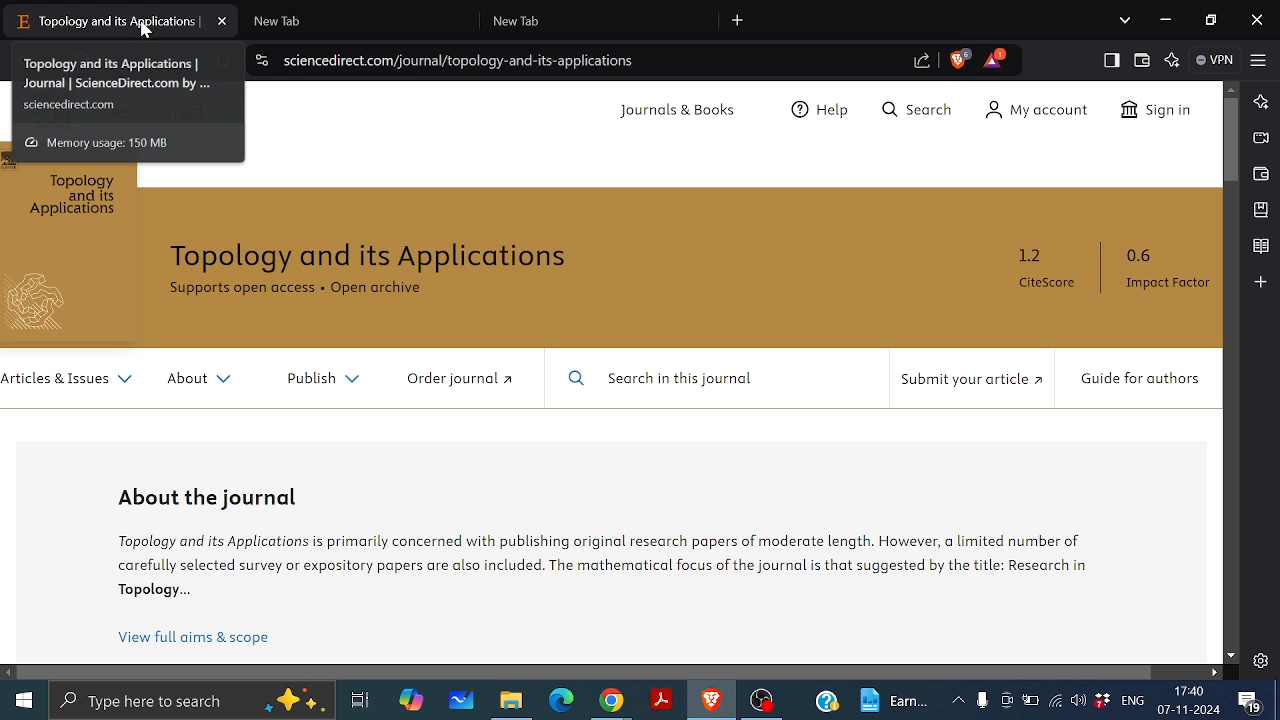 The image size is (1280, 720). What do you see at coordinates (960, 59) in the screenshot?
I see `Brave shield` at bounding box center [960, 59].